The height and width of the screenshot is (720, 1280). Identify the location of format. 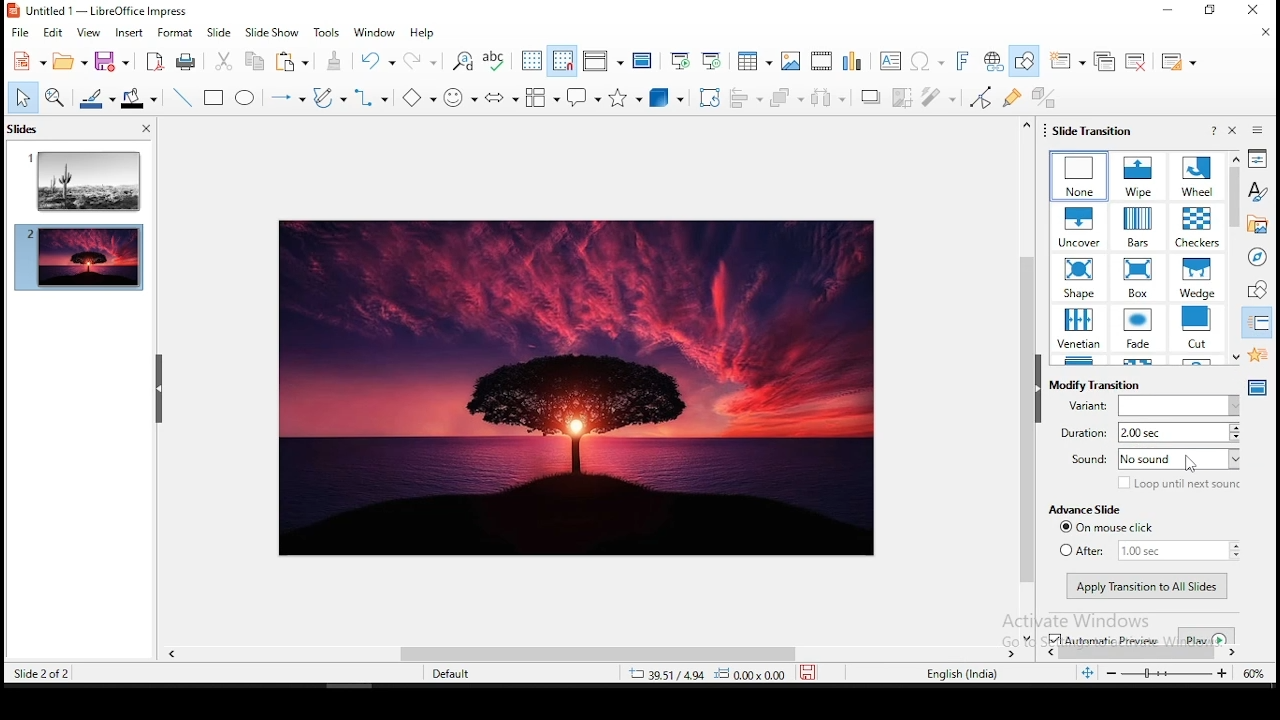
(175, 31).